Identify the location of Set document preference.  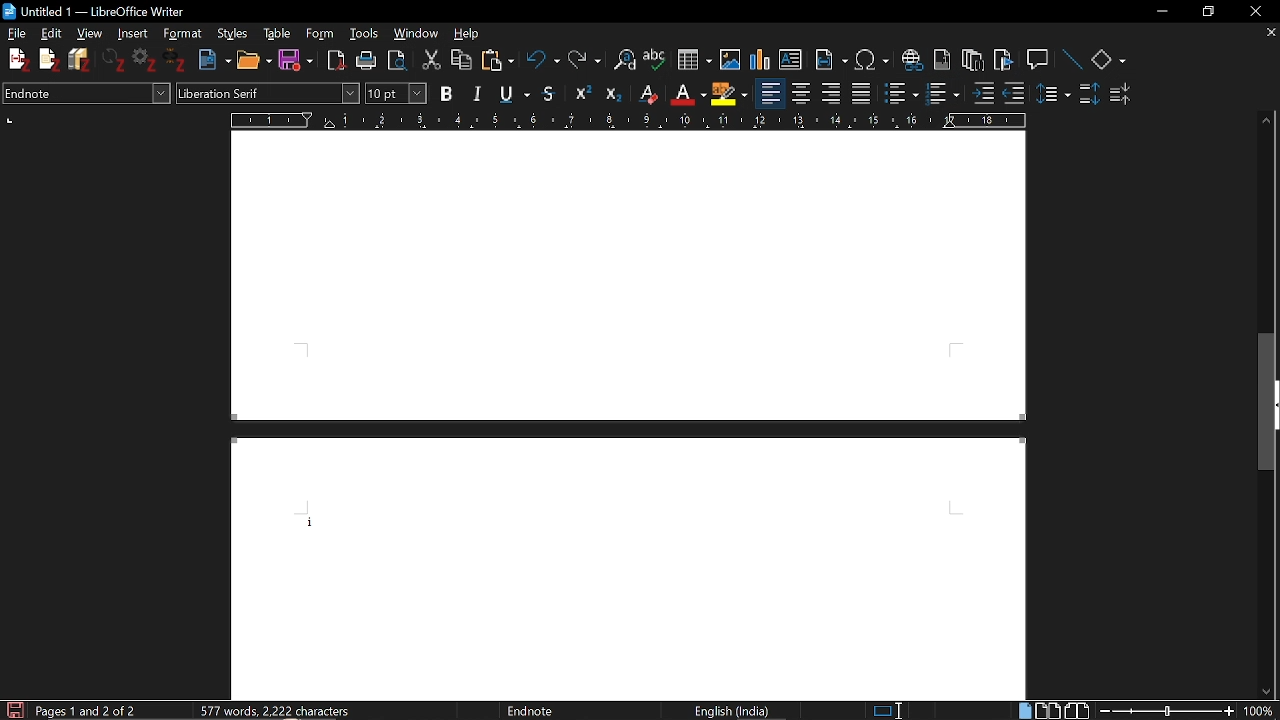
(142, 60).